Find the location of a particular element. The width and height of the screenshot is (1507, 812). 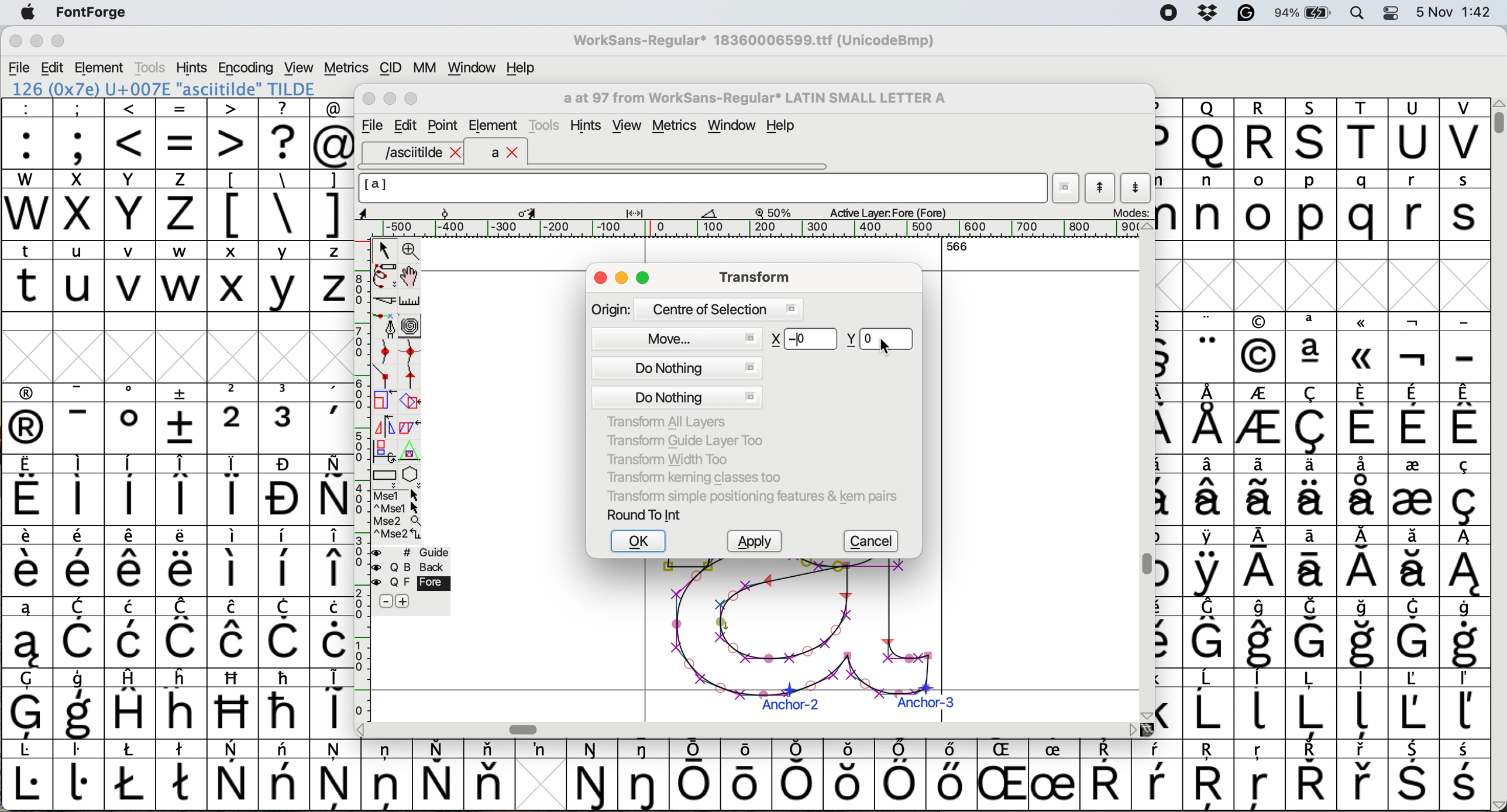

symbol is located at coordinates (1463, 704).